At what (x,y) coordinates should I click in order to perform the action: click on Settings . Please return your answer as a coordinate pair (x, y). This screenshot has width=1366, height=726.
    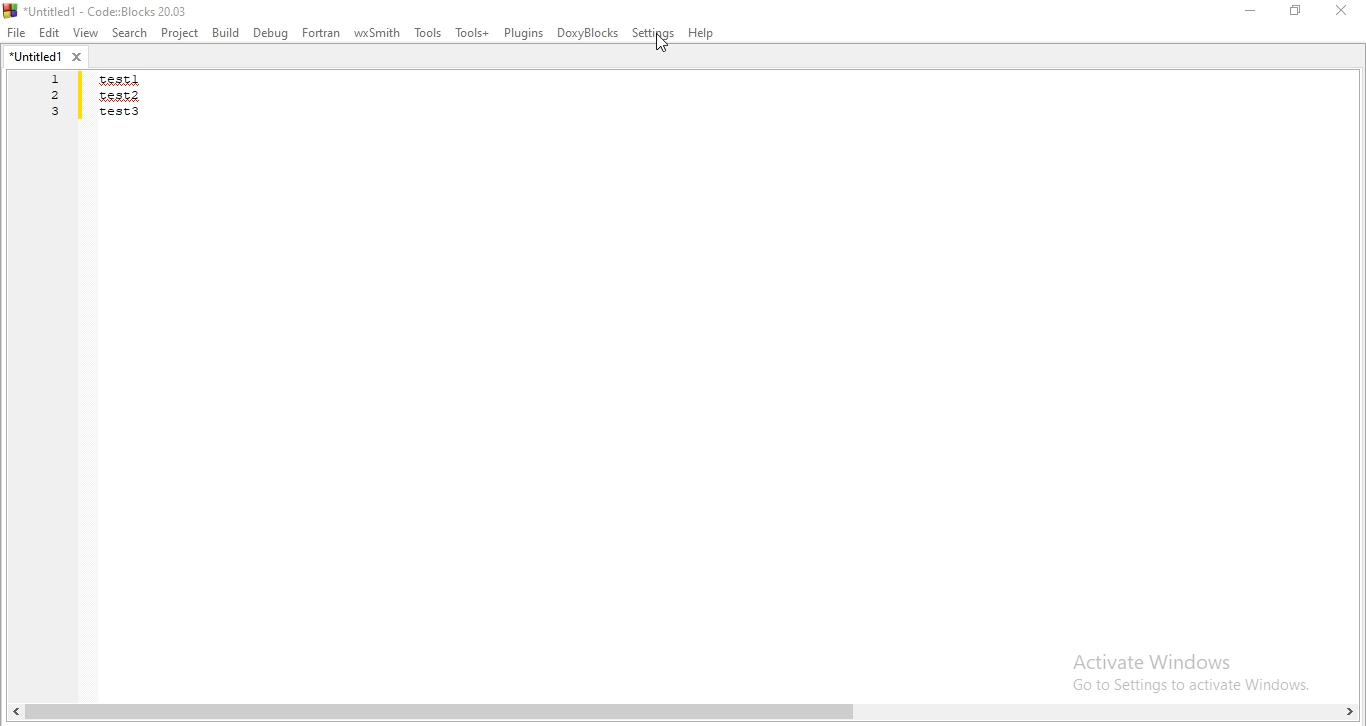
    Looking at the image, I should click on (653, 35).